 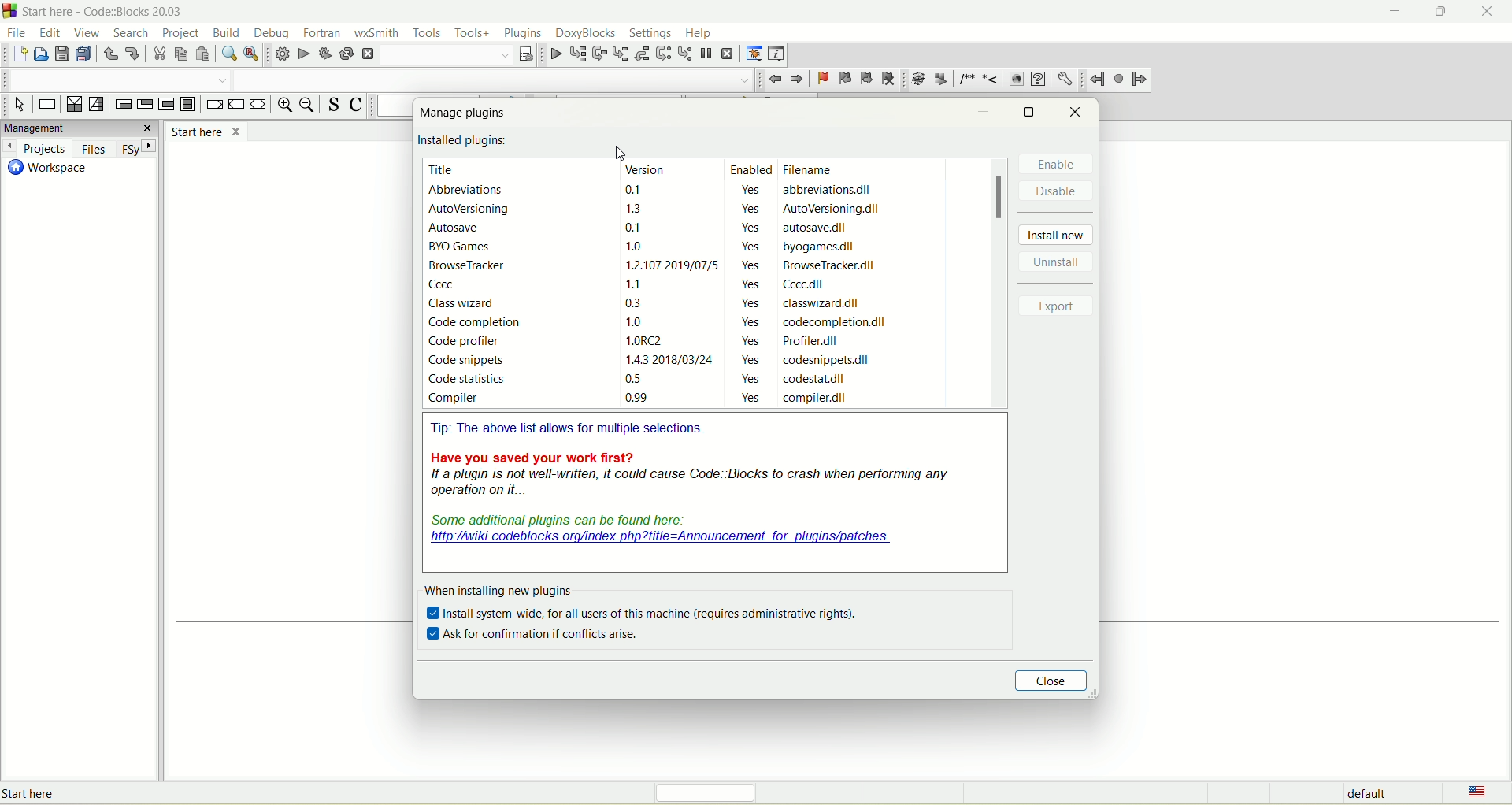 I want to click on copy, so click(x=180, y=54).